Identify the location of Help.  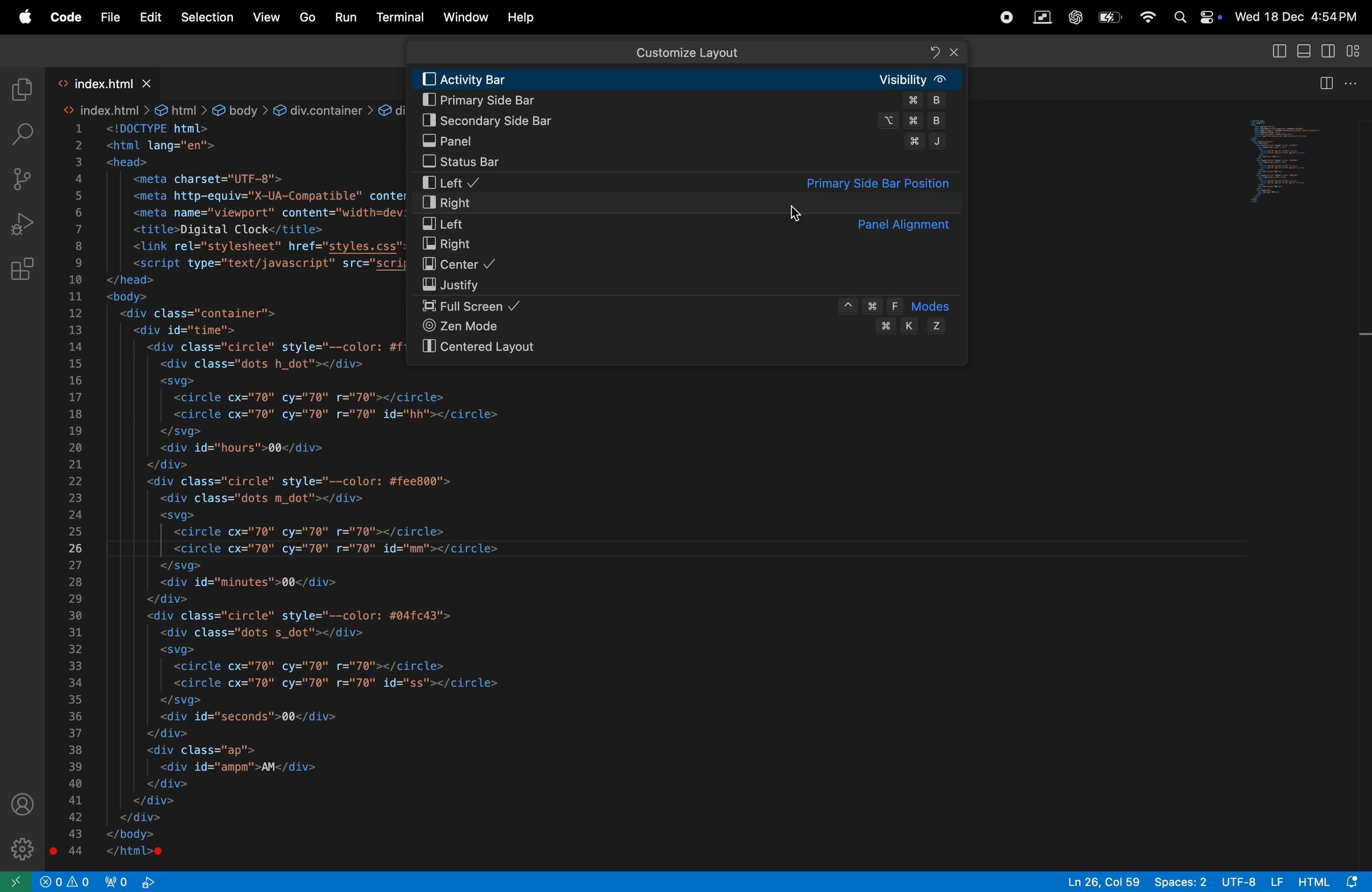
(525, 18).